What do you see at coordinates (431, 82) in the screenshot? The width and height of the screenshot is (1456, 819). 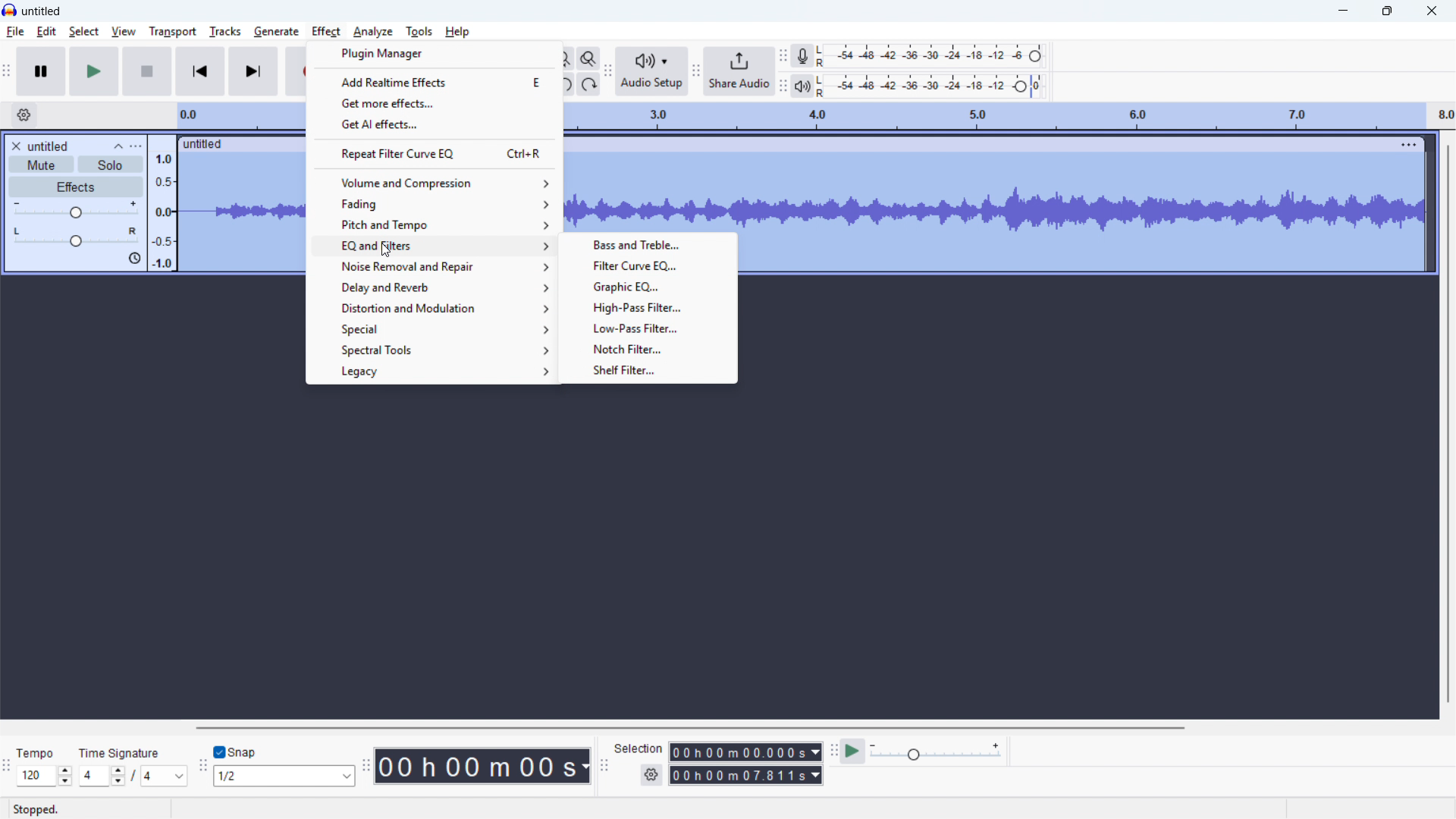 I see `Add real time effects ` at bounding box center [431, 82].